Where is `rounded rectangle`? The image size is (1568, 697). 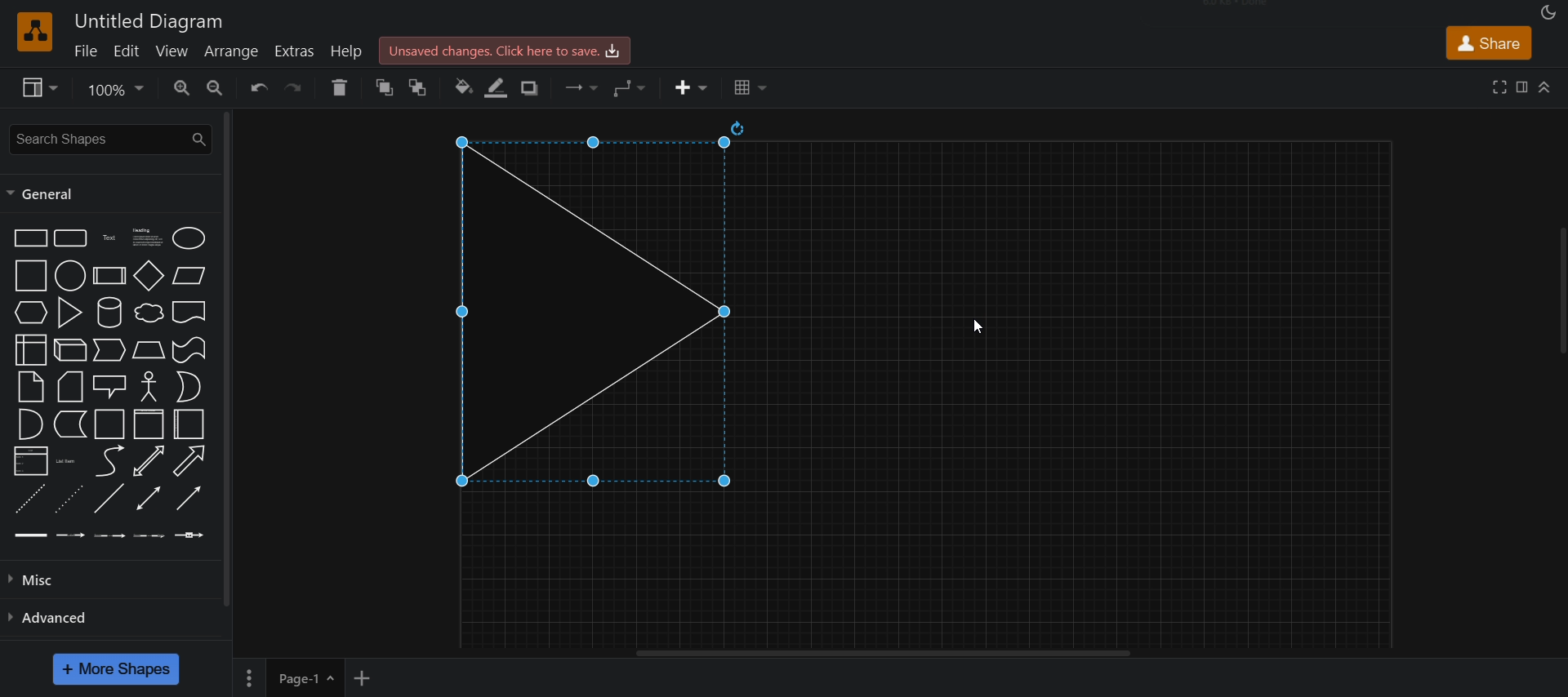 rounded rectangle is located at coordinates (71, 238).